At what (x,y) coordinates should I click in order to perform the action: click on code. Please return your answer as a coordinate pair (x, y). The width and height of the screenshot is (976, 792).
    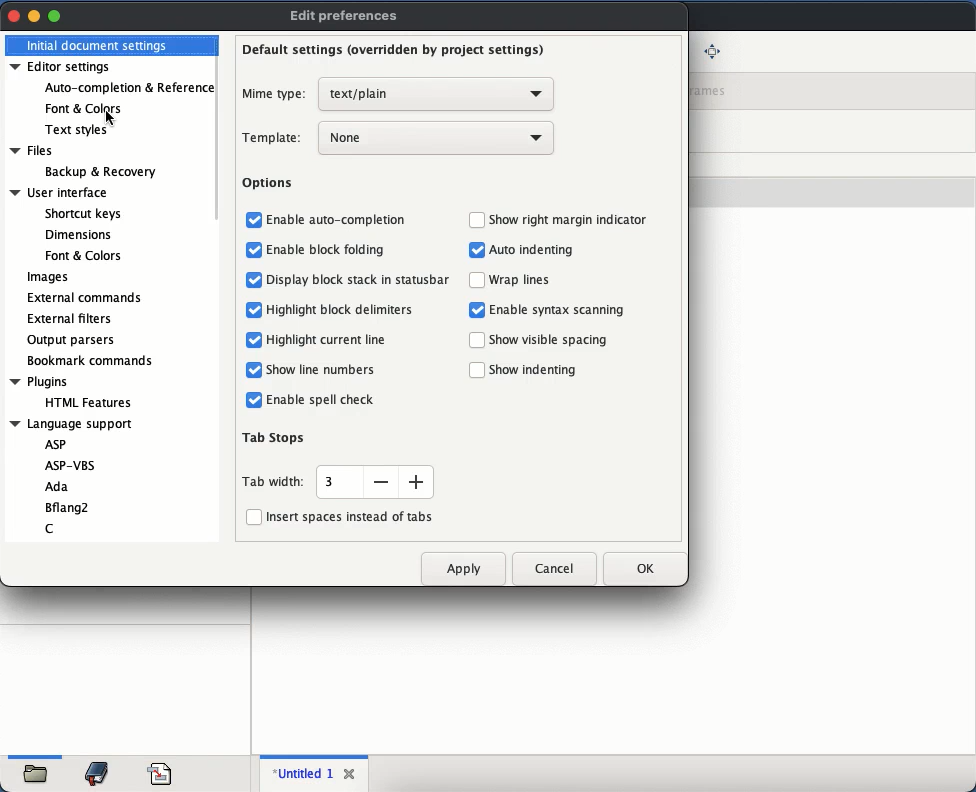
    Looking at the image, I should click on (160, 771).